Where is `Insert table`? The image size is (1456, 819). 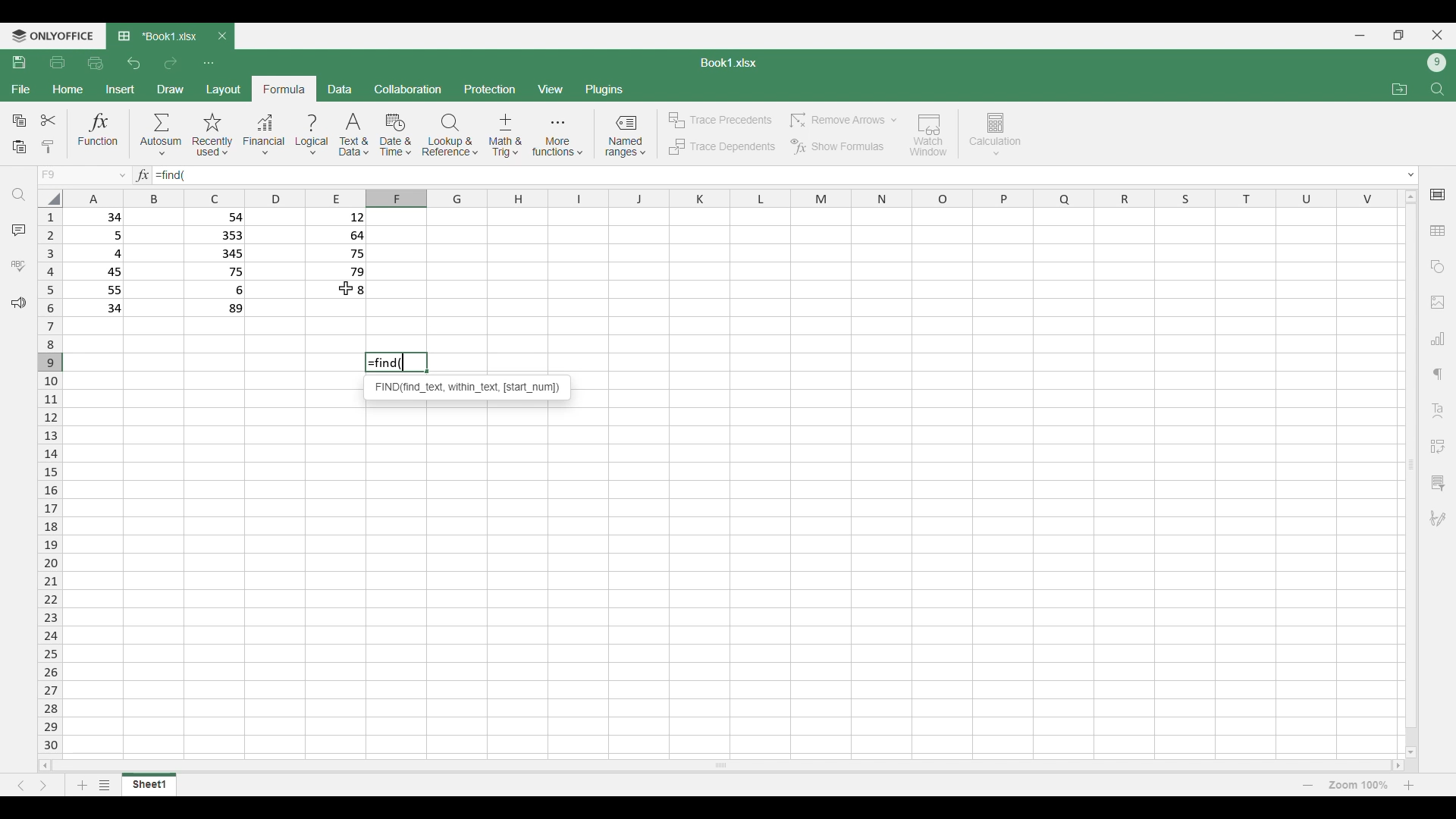
Insert table is located at coordinates (1438, 231).